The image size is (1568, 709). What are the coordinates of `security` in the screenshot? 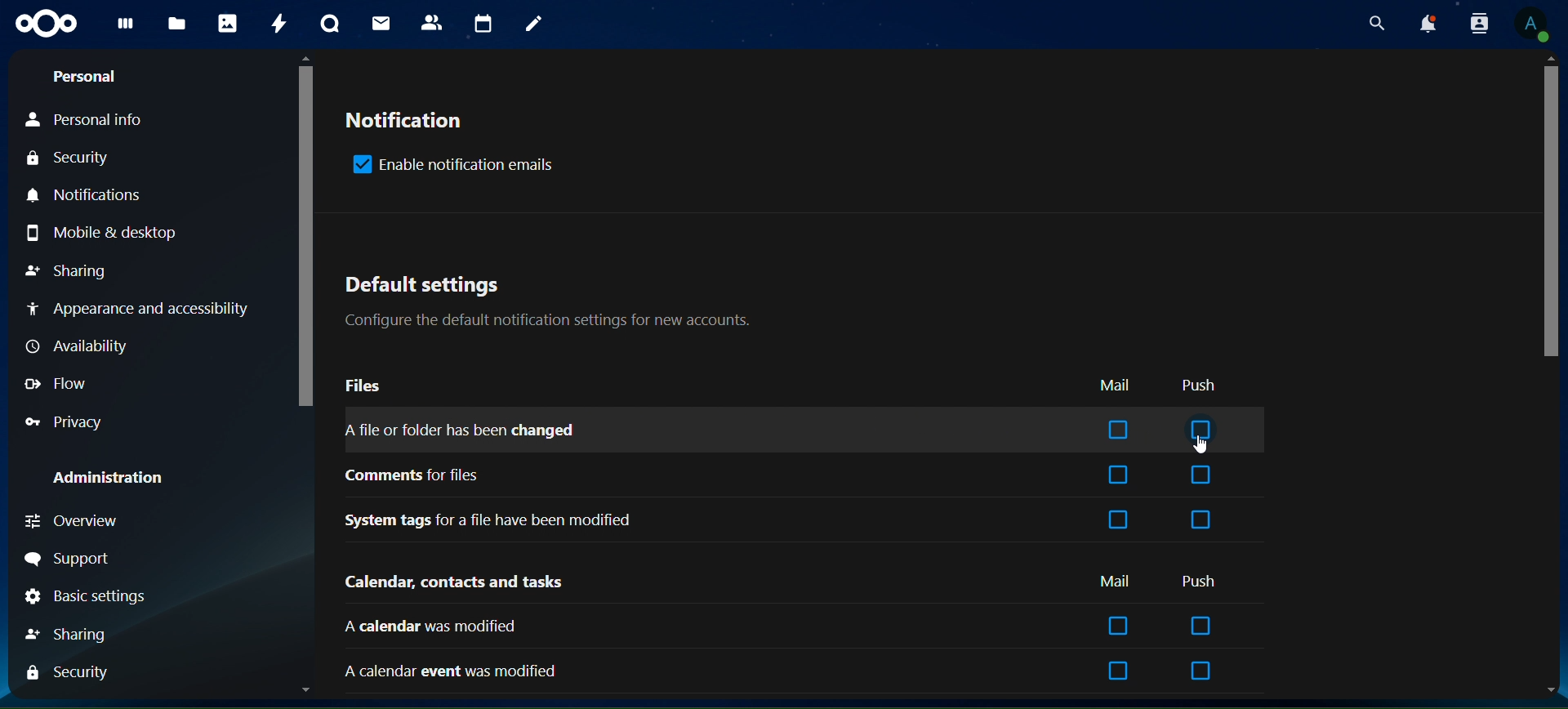 It's located at (68, 671).